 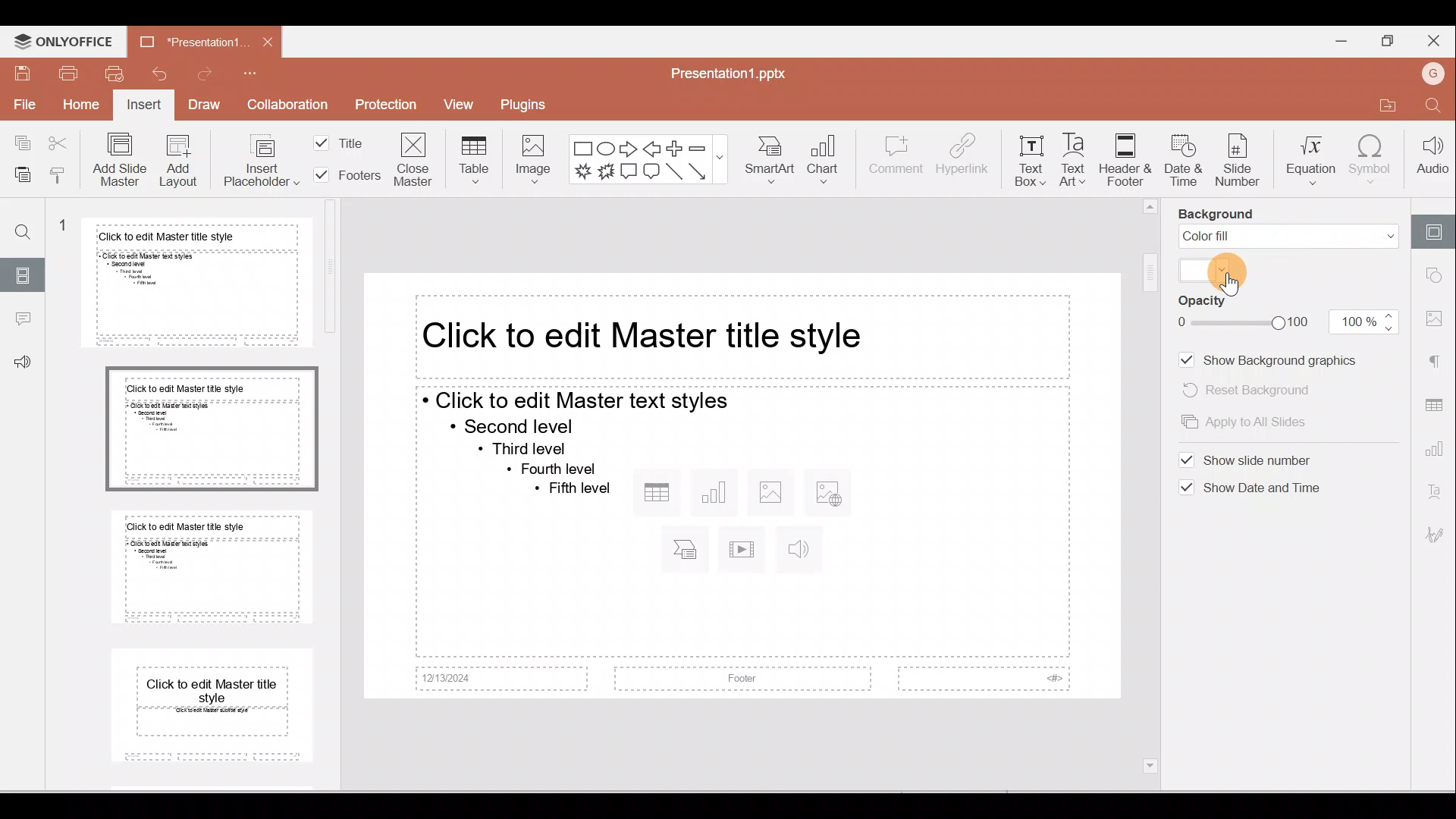 What do you see at coordinates (24, 274) in the screenshot?
I see `Slide` at bounding box center [24, 274].